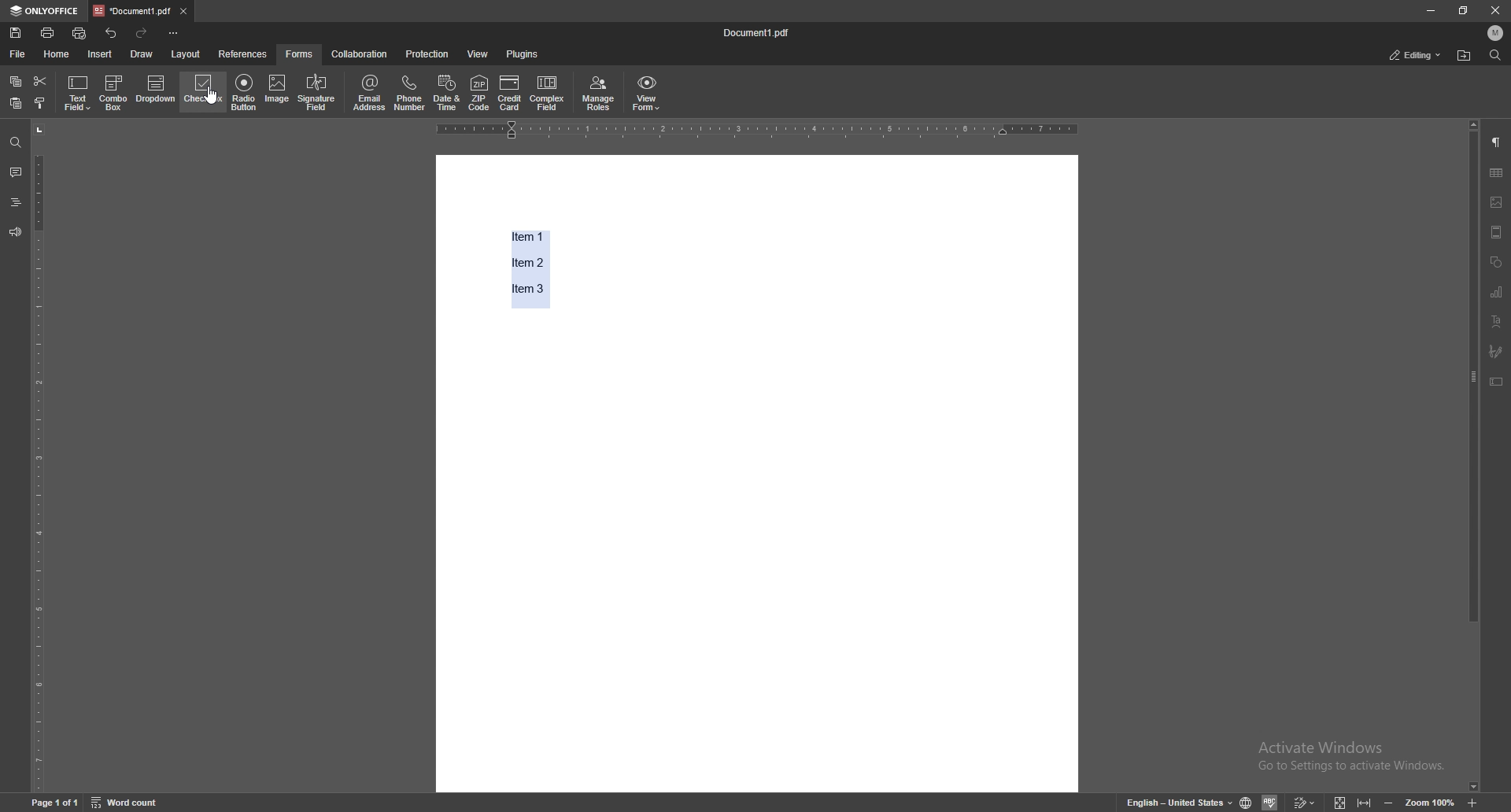  Describe the element at coordinates (16, 172) in the screenshot. I see `comment` at that location.